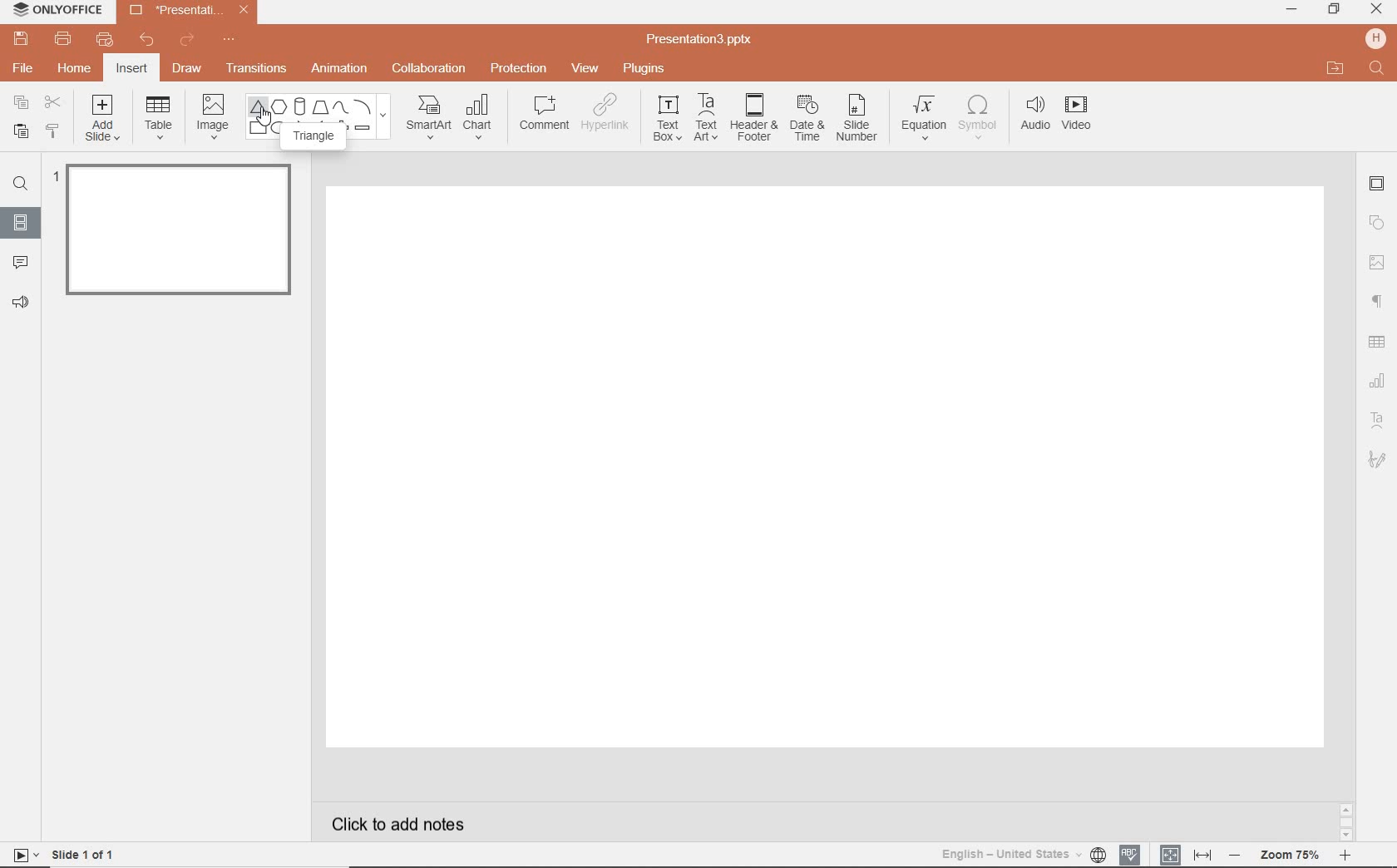 This screenshot has height=868, width=1397. I want to click on SHAPE SETTINGS, so click(1375, 222).